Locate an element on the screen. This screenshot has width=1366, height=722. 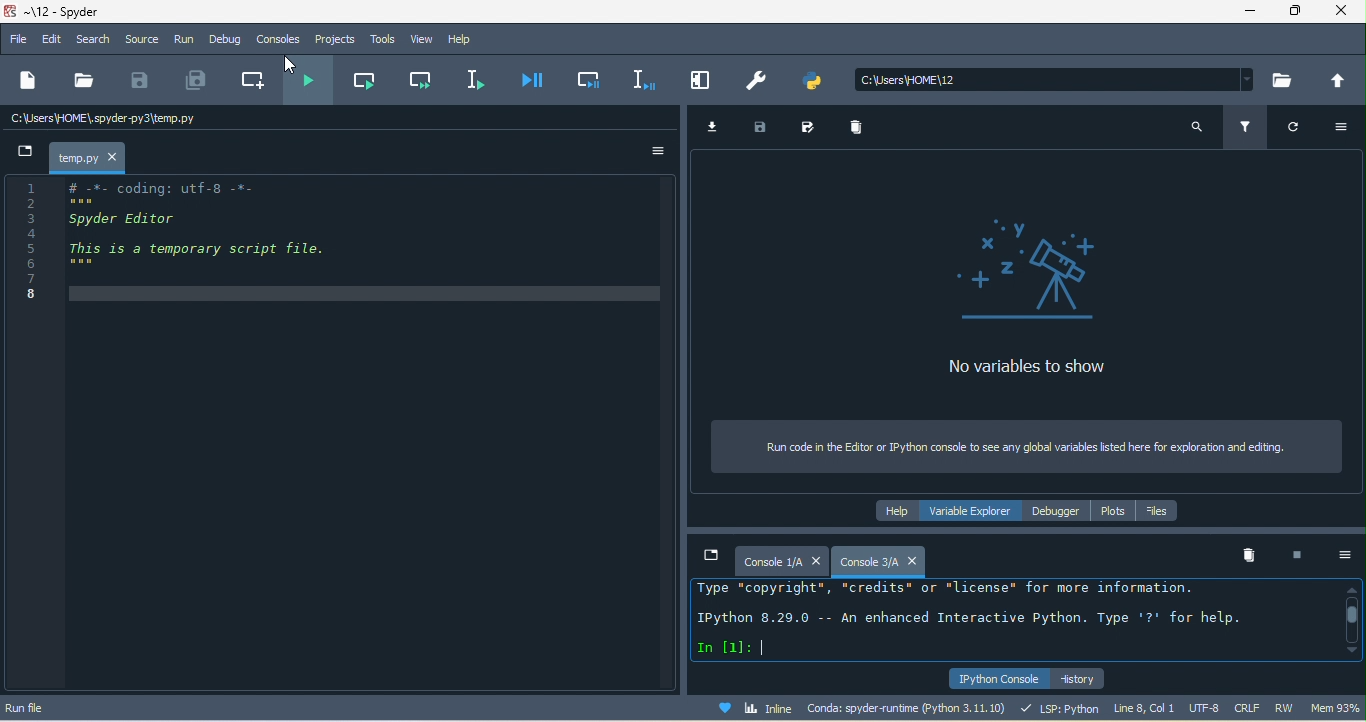
ipython console is located at coordinates (996, 676).